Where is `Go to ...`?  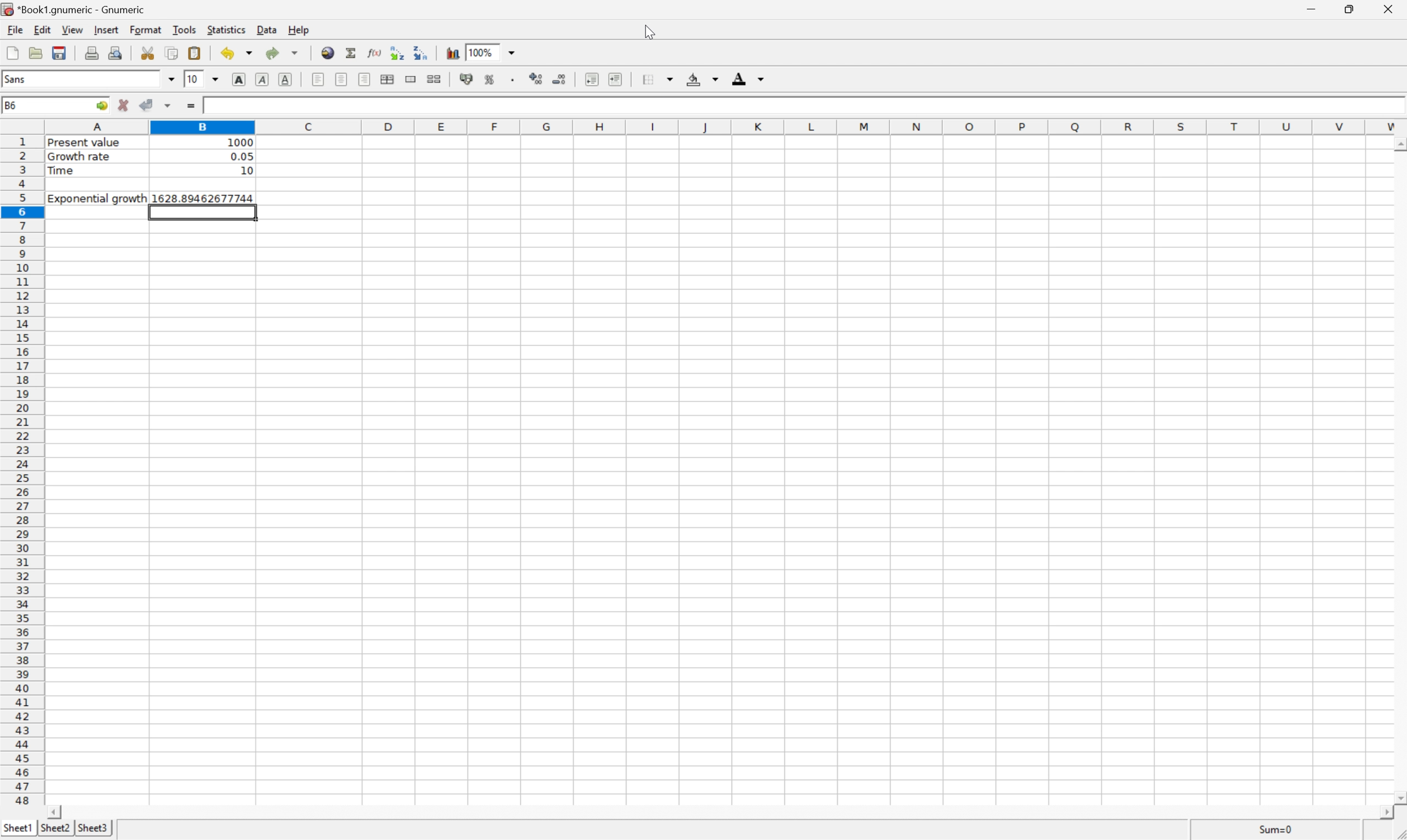
Go to ... is located at coordinates (101, 105).